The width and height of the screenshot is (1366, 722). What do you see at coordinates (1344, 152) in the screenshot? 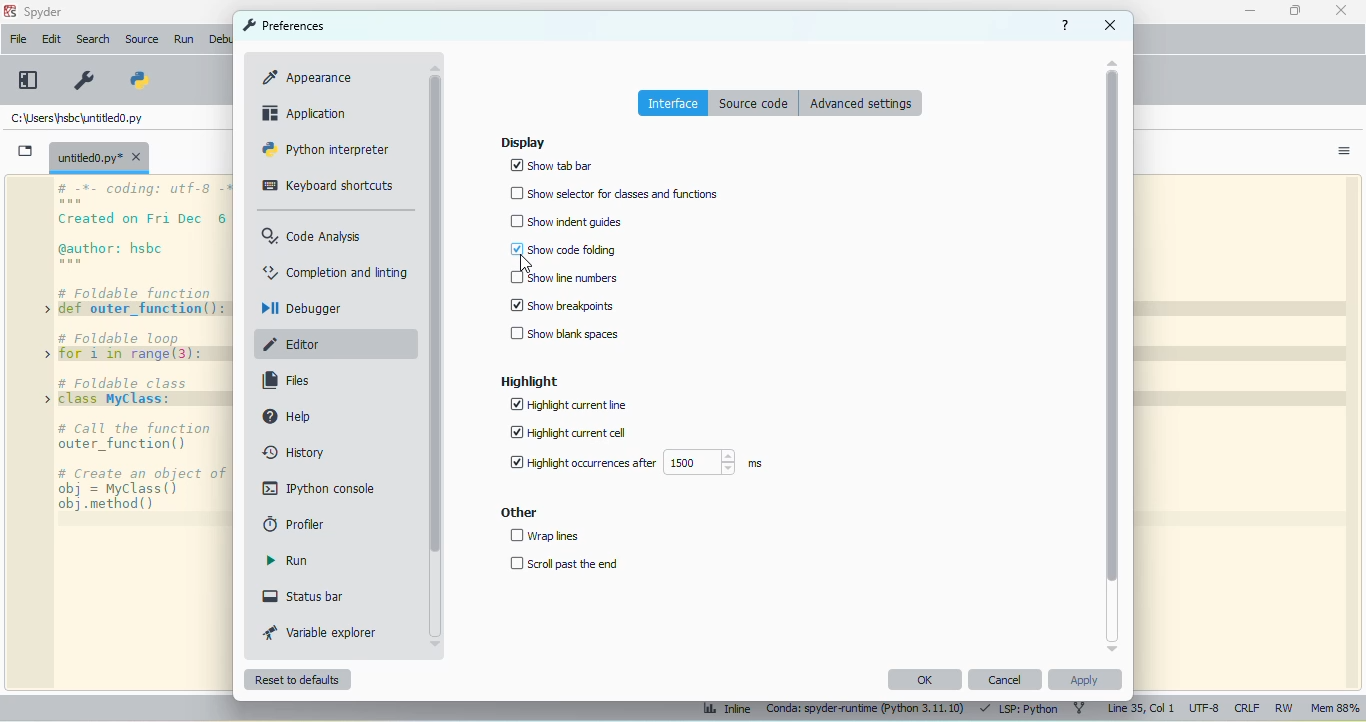
I see `options` at bounding box center [1344, 152].